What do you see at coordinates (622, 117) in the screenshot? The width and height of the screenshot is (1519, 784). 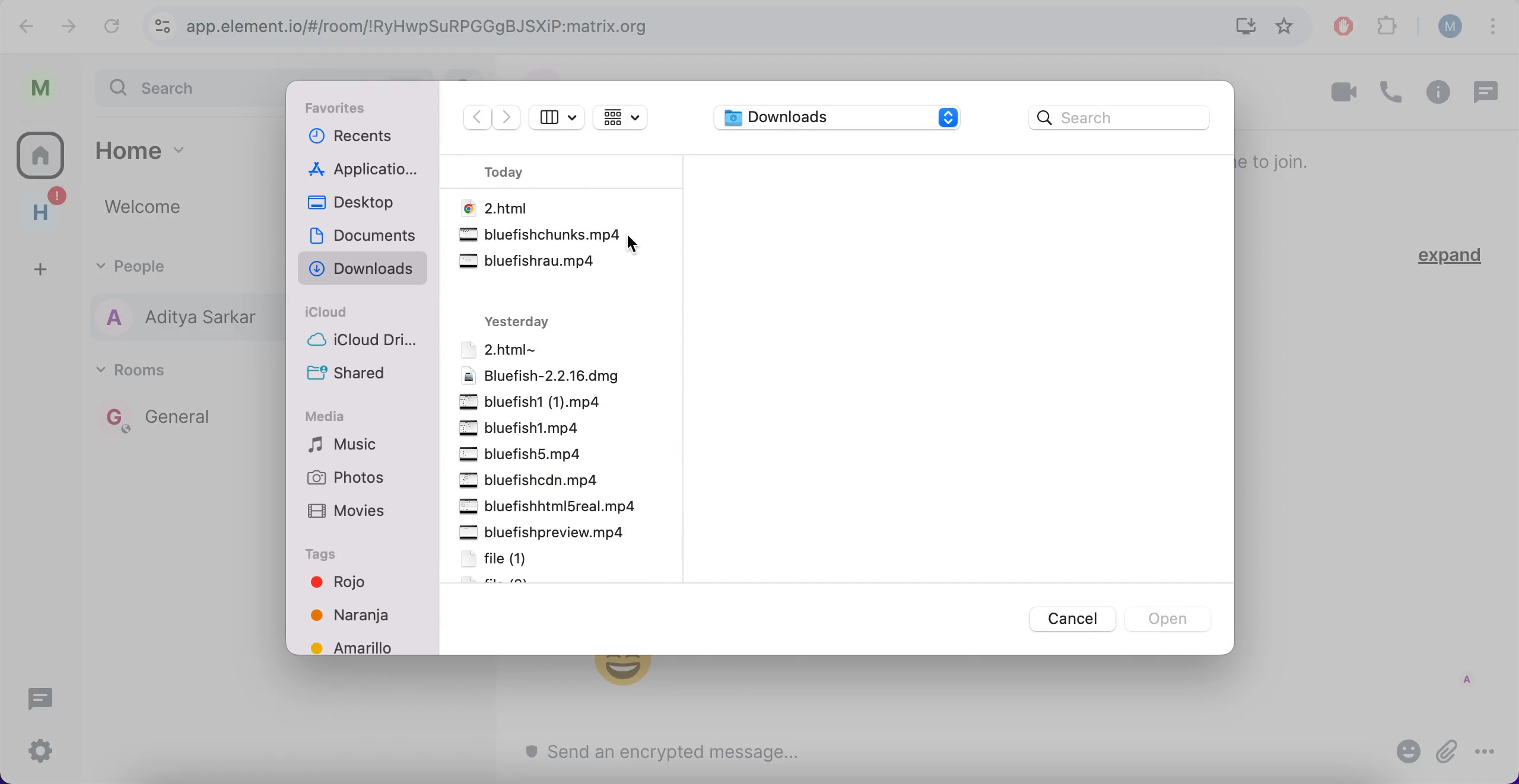 I see `change the item grouping` at bounding box center [622, 117].